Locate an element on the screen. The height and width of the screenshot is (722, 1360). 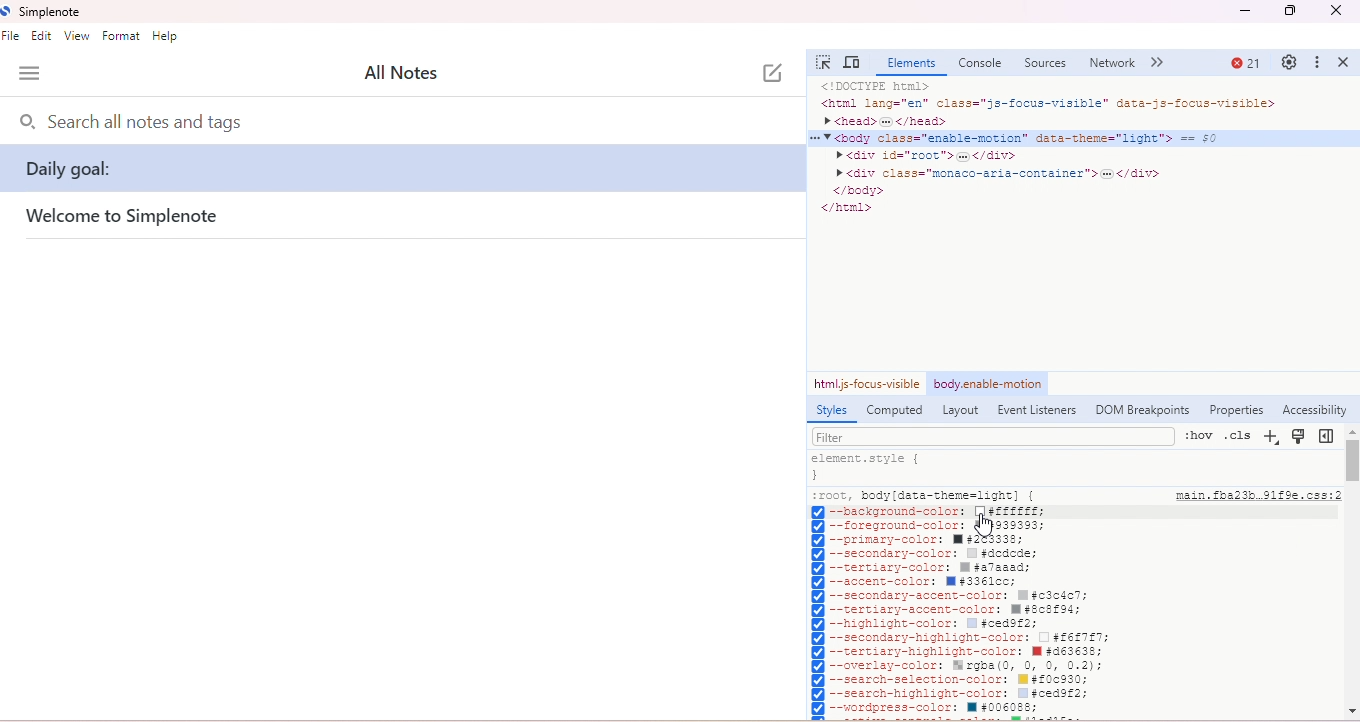
show computed styles sidebar is located at coordinates (1328, 436).